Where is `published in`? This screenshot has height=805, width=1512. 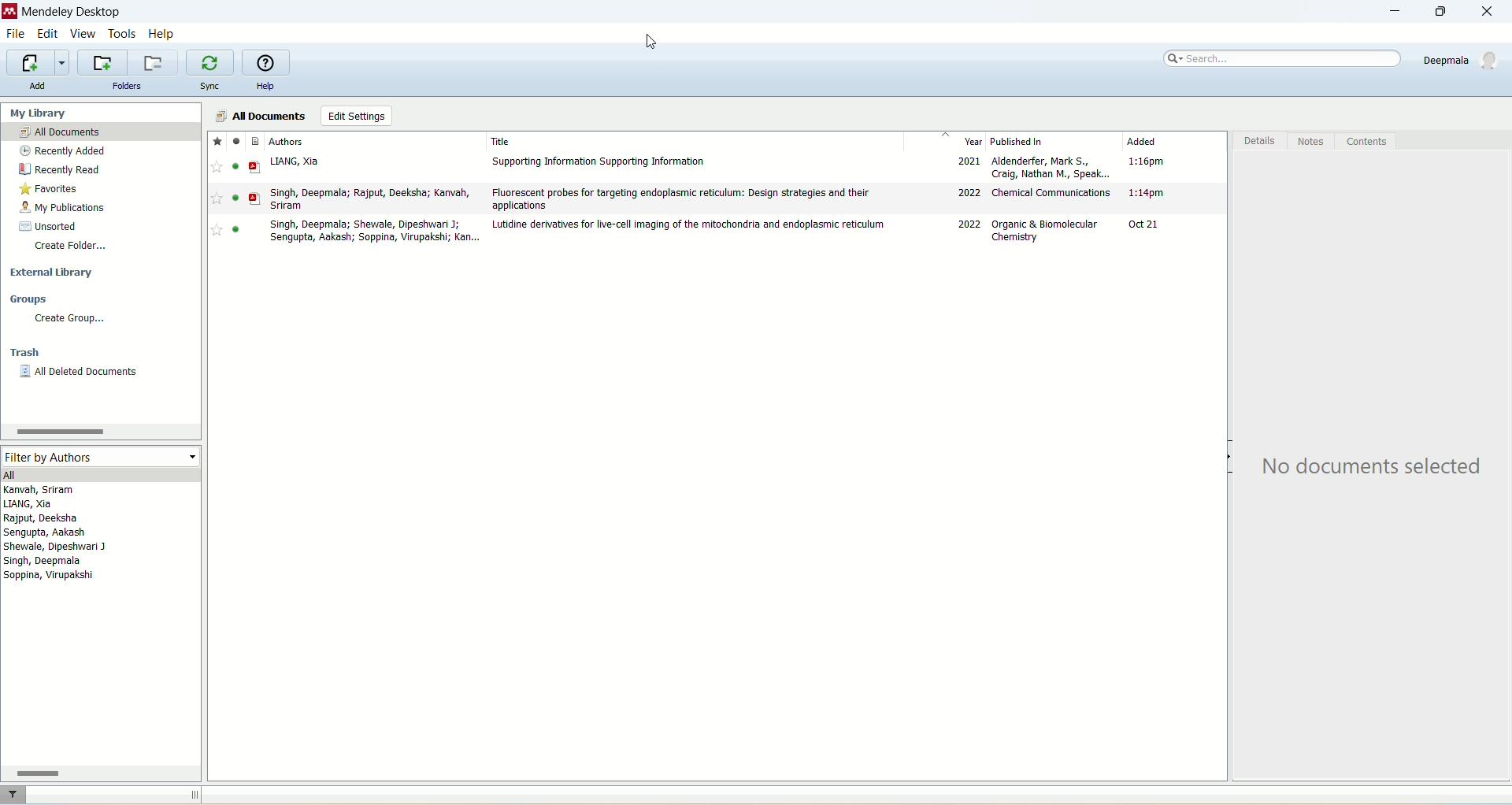 published in is located at coordinates (1052, 143).